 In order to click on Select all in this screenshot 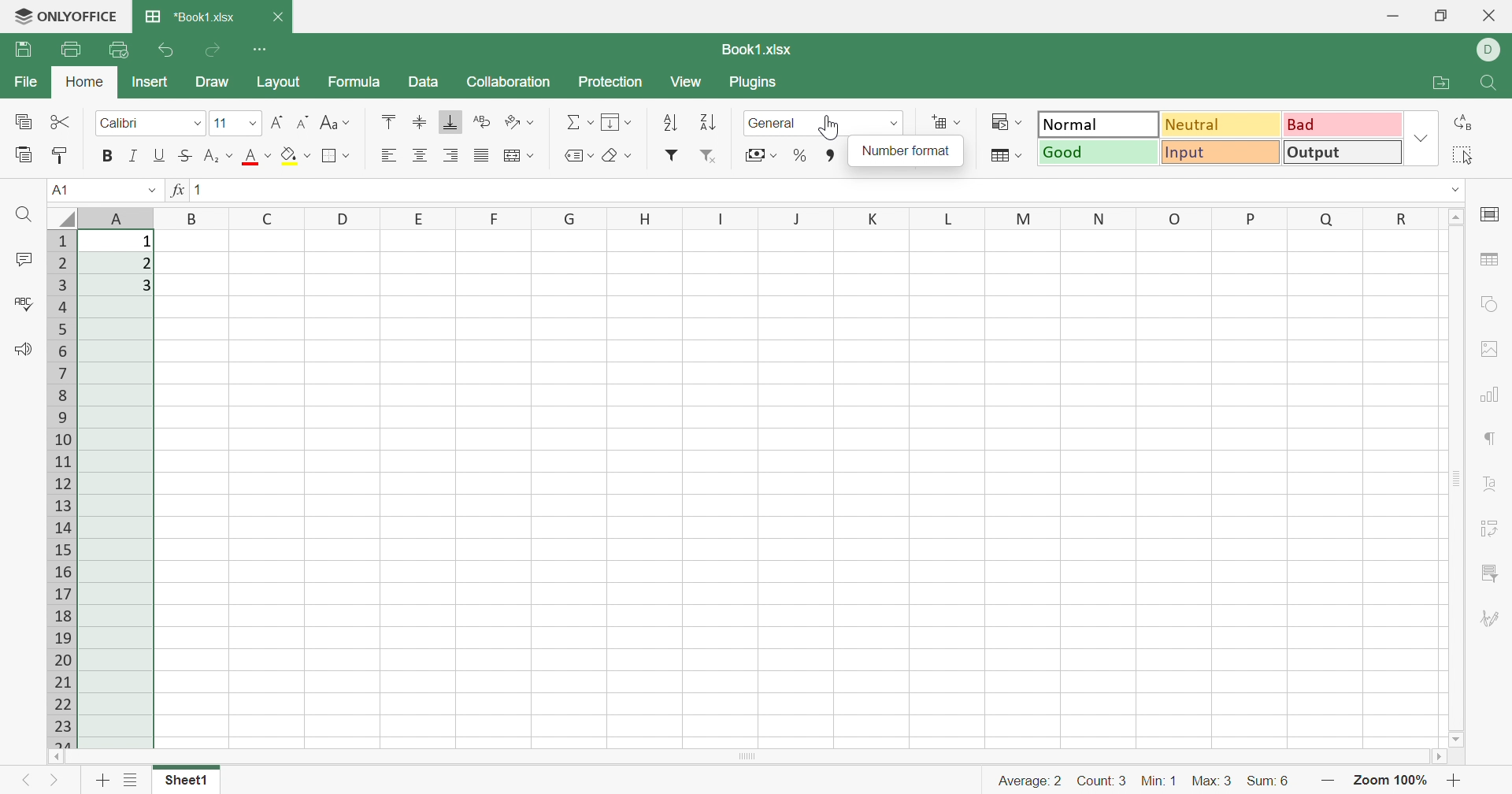, I will do `click(1461, 155)`.